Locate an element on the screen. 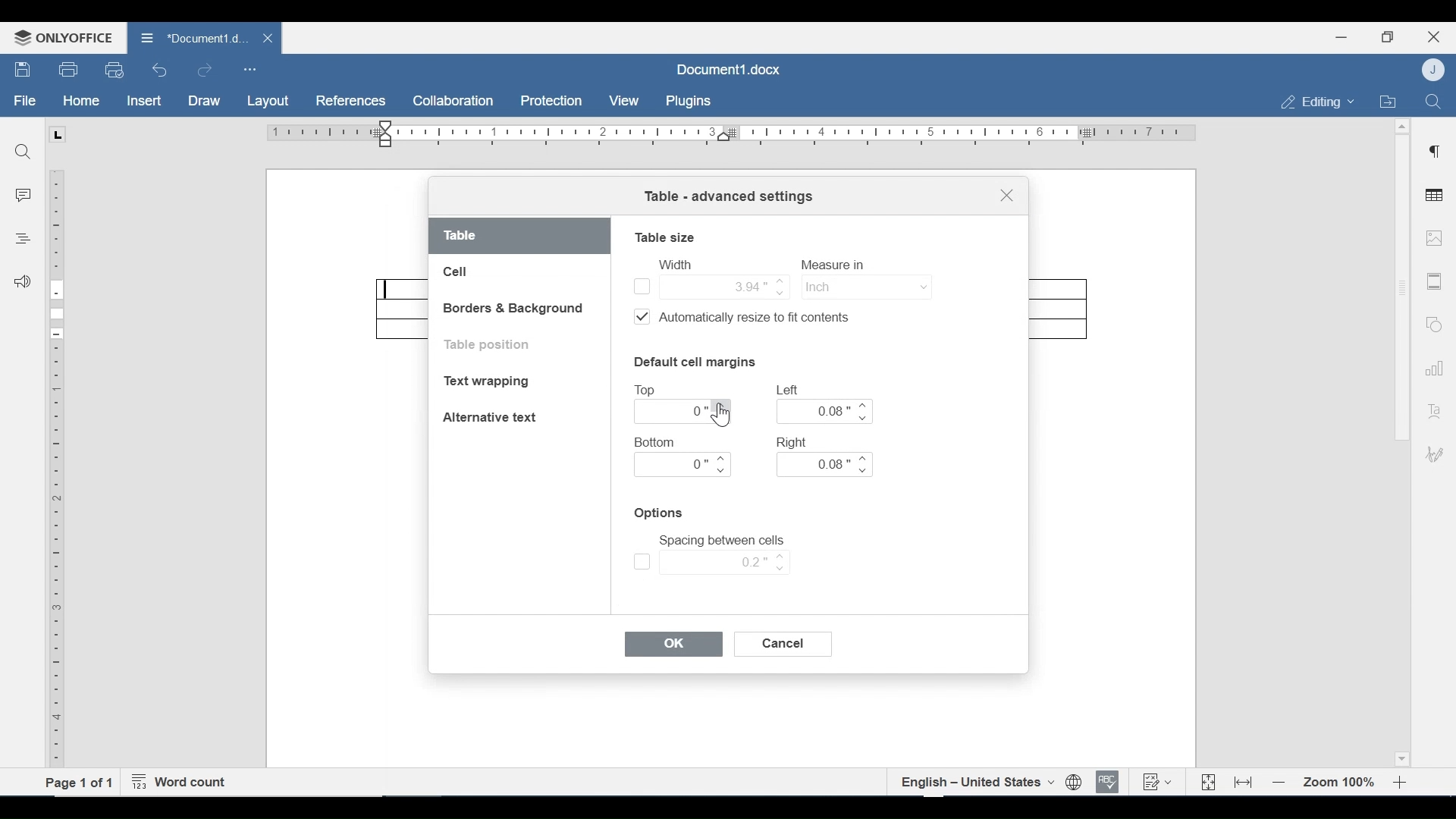 The height and width of the screenshot is (819, 1456). Table size is located at coordinates (665, 237).